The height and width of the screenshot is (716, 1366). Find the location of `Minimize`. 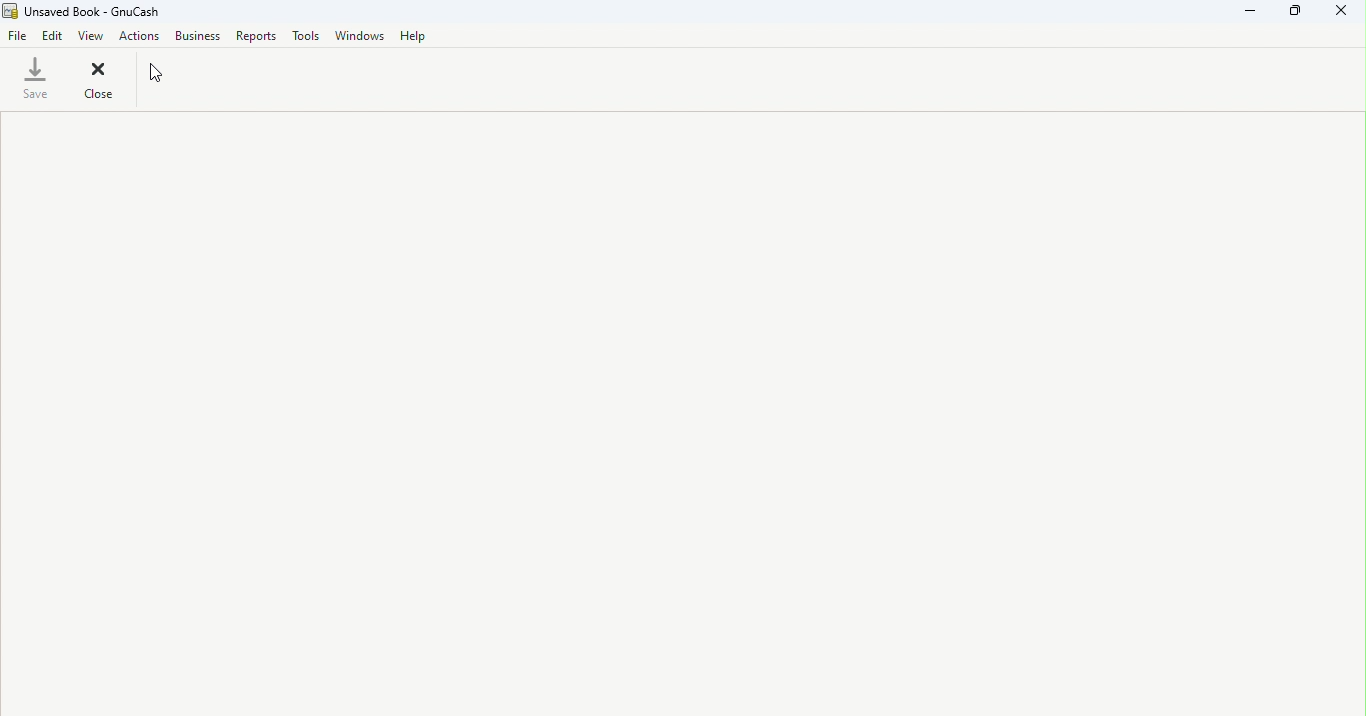

Minimize is located at coordinates (1257, 11).